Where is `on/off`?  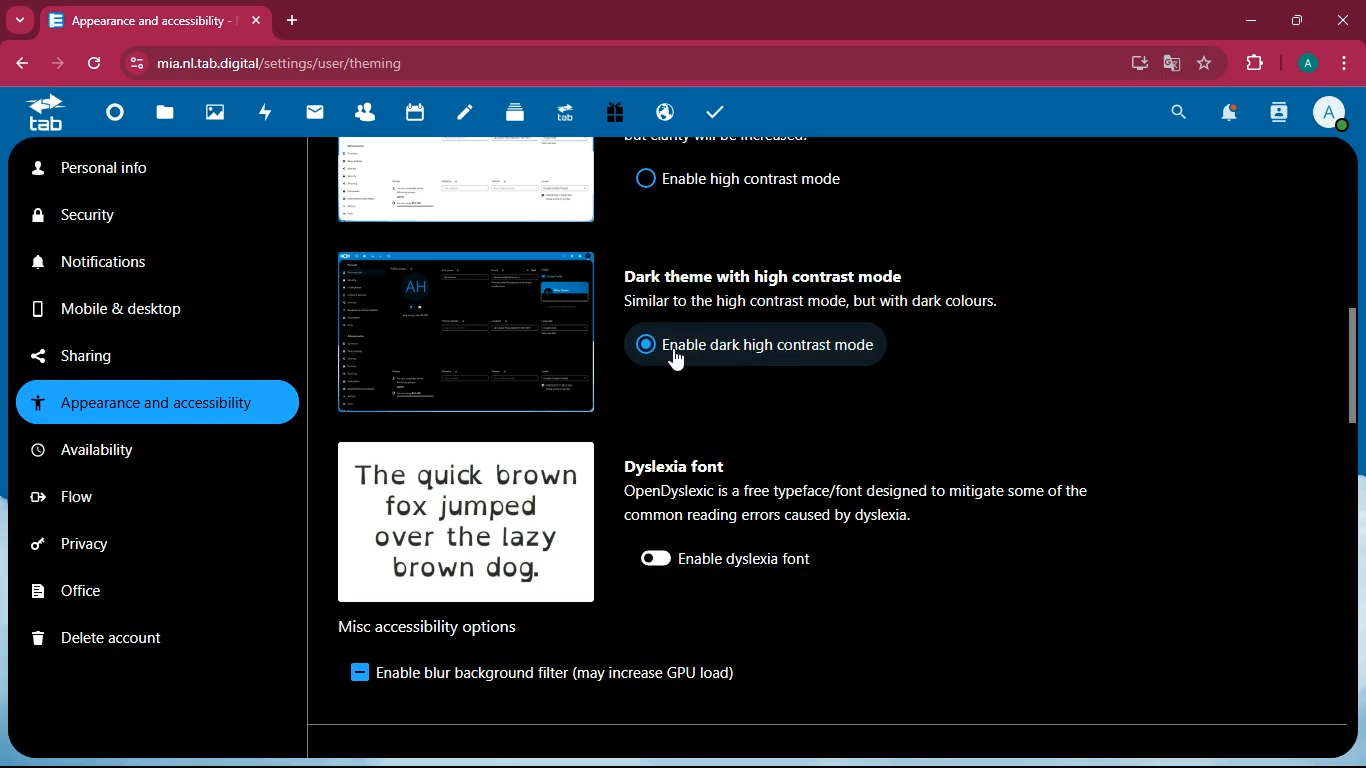
on/off is located at coordinates (640, 179).